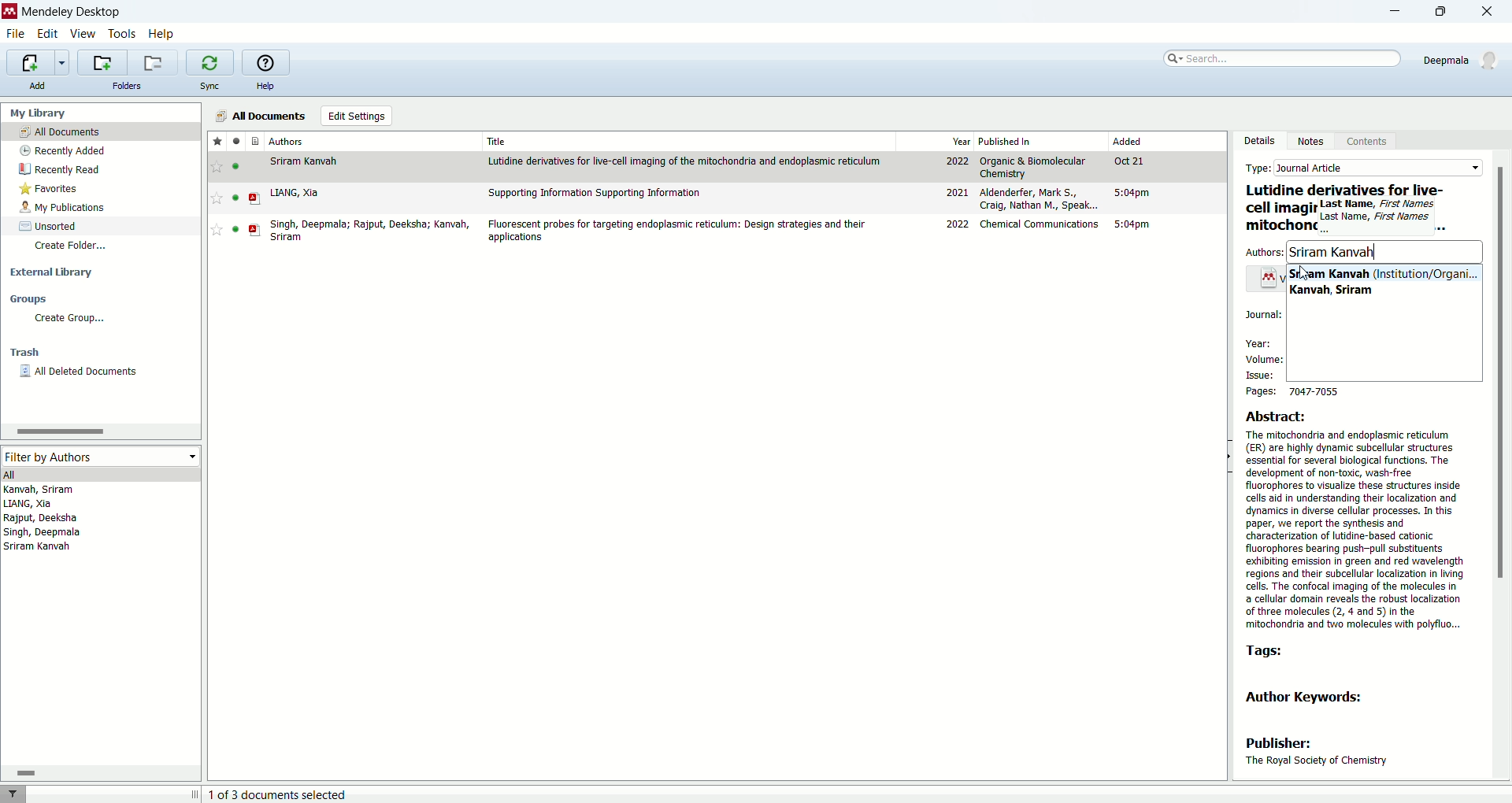  Describe the element at coordinates (124, 35) in the screenshot. I see `tools` at that location.